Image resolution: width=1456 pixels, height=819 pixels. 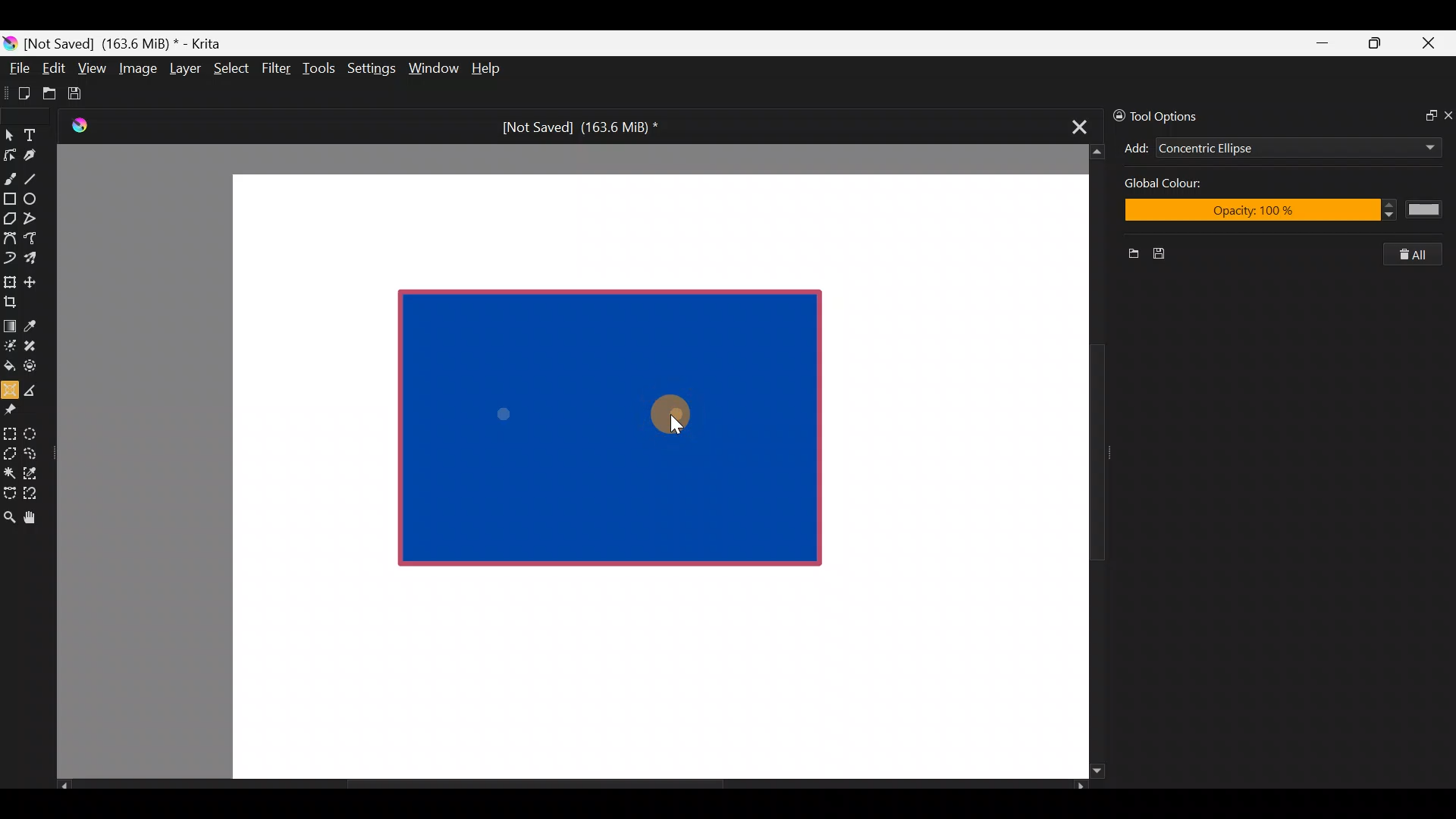 I want to click on Close docker, so click(x=1447, y=115).